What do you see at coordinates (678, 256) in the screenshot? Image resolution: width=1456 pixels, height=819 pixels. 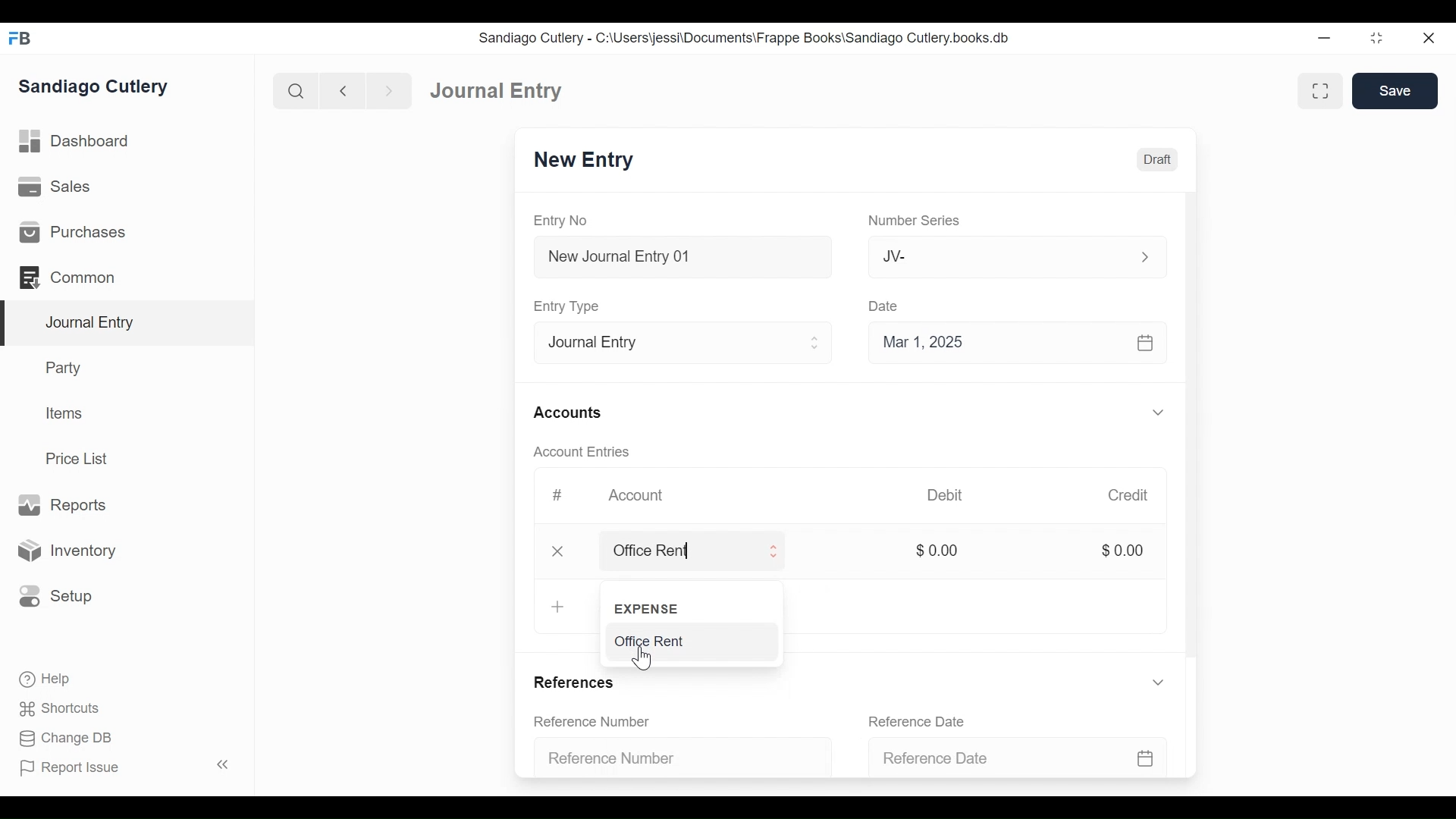 I see `New Journal Entry 01` at bounding box center [678, 256].